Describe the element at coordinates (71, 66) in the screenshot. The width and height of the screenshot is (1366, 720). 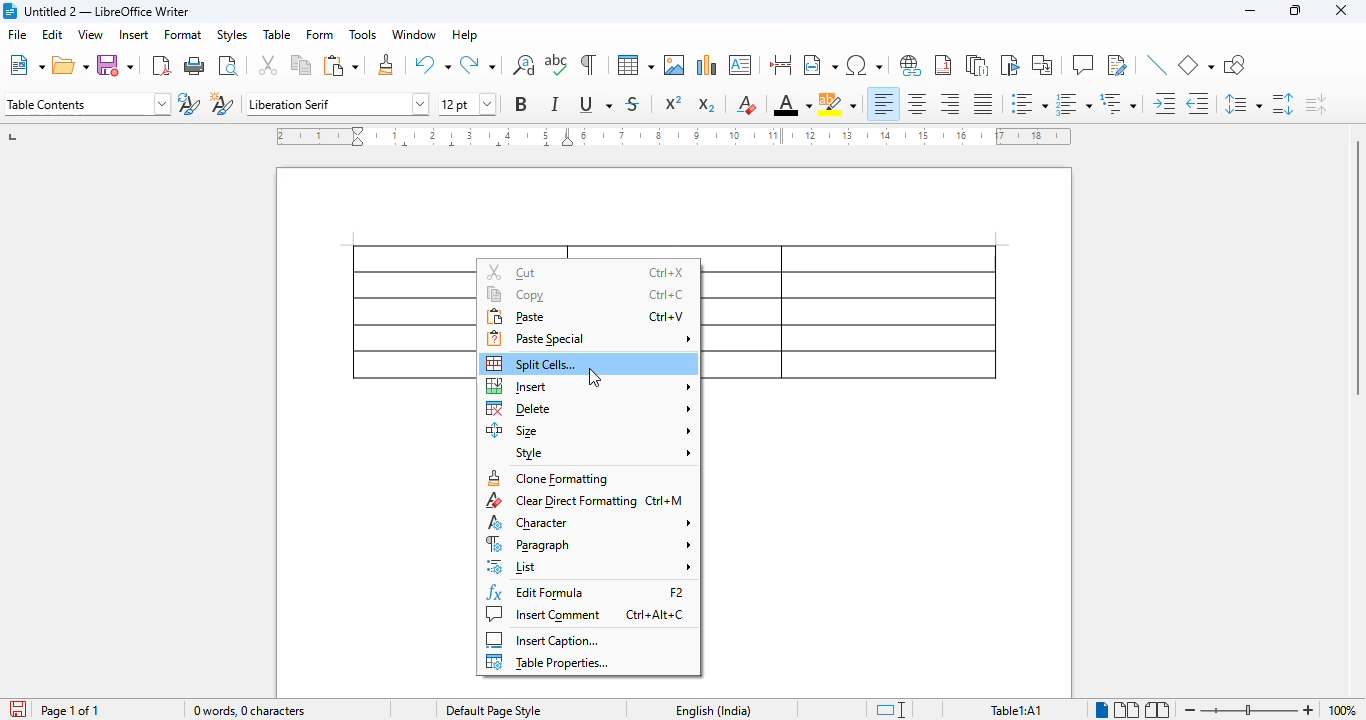
I see `open` at that location.